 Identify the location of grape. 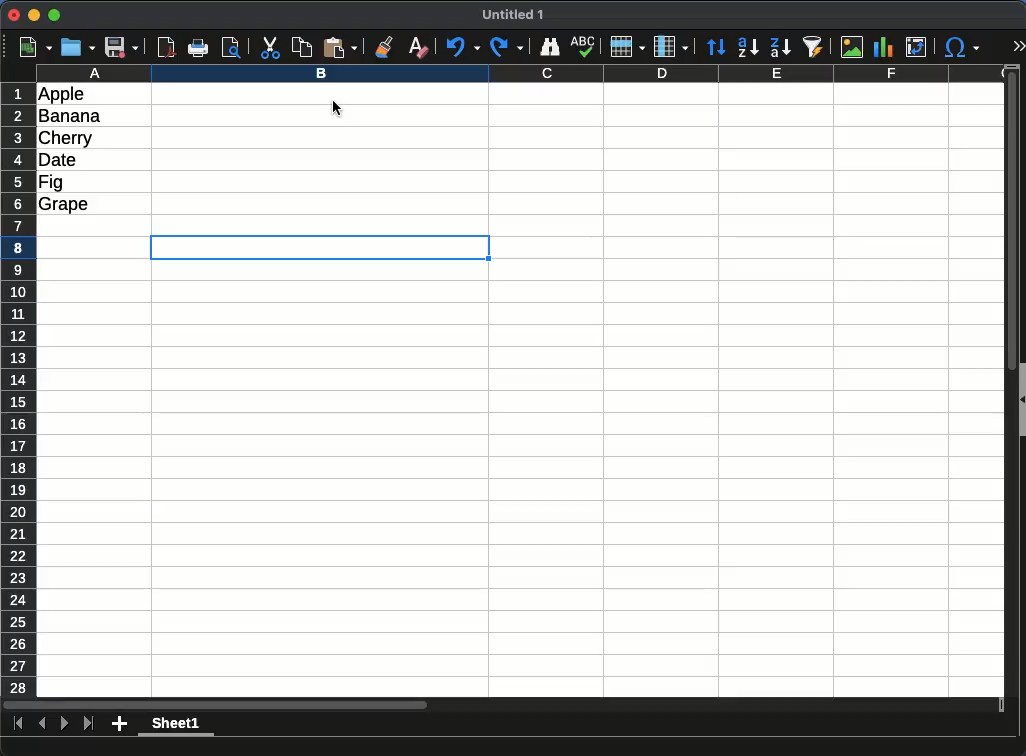
(64, 205).